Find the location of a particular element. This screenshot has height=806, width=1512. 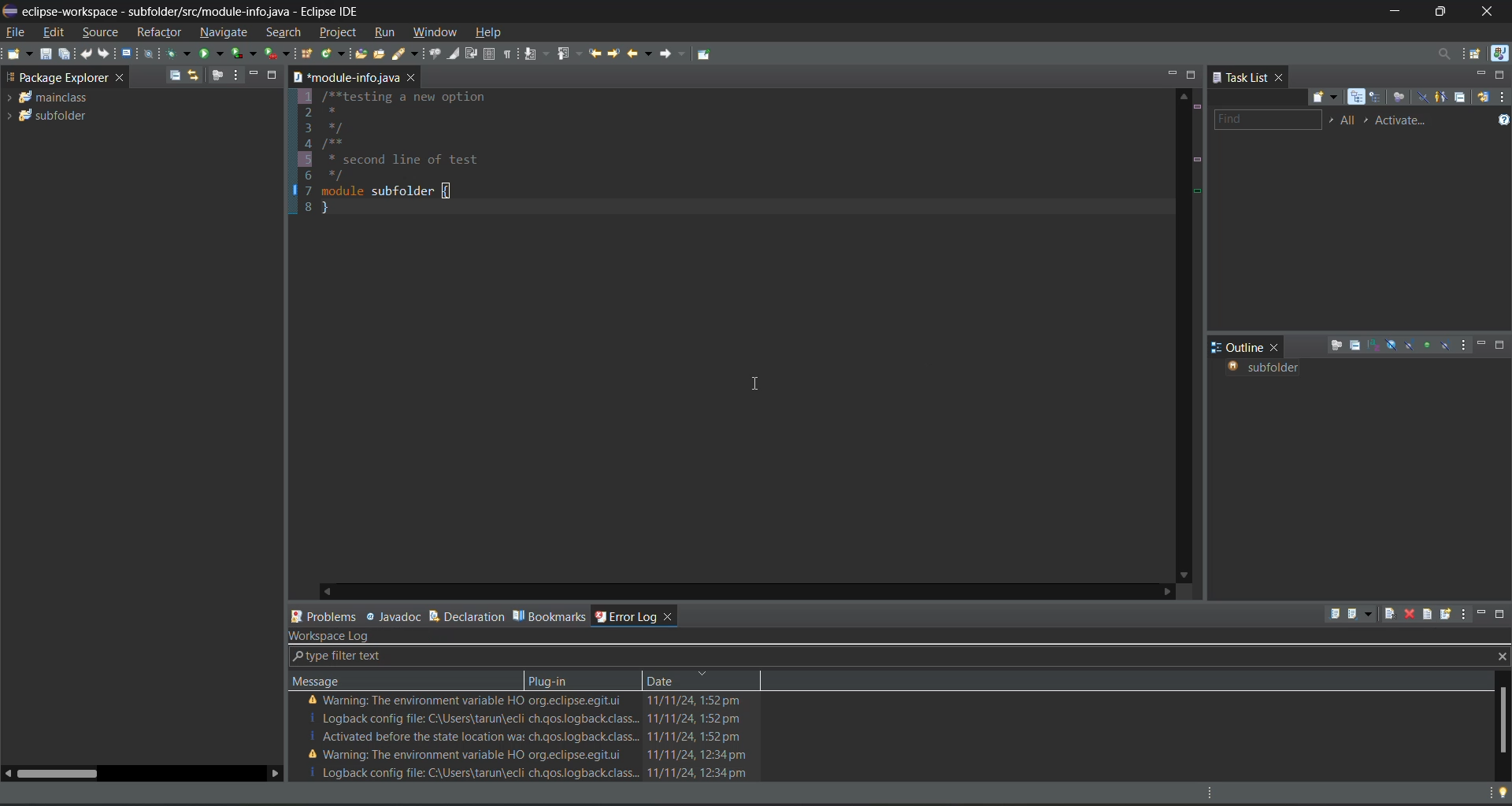

toggle mark occurences is located at coordinates (457, 53).